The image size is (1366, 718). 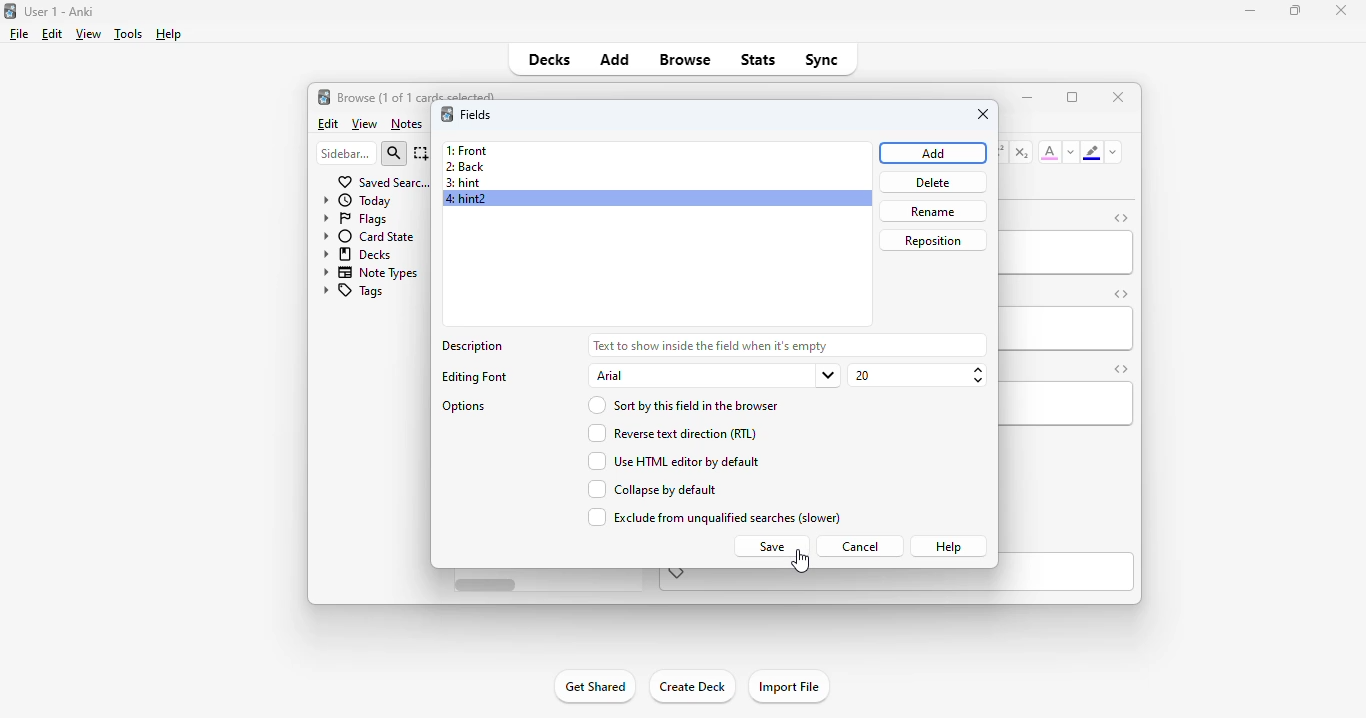 I want to click on add, so click(x=615, y=58).